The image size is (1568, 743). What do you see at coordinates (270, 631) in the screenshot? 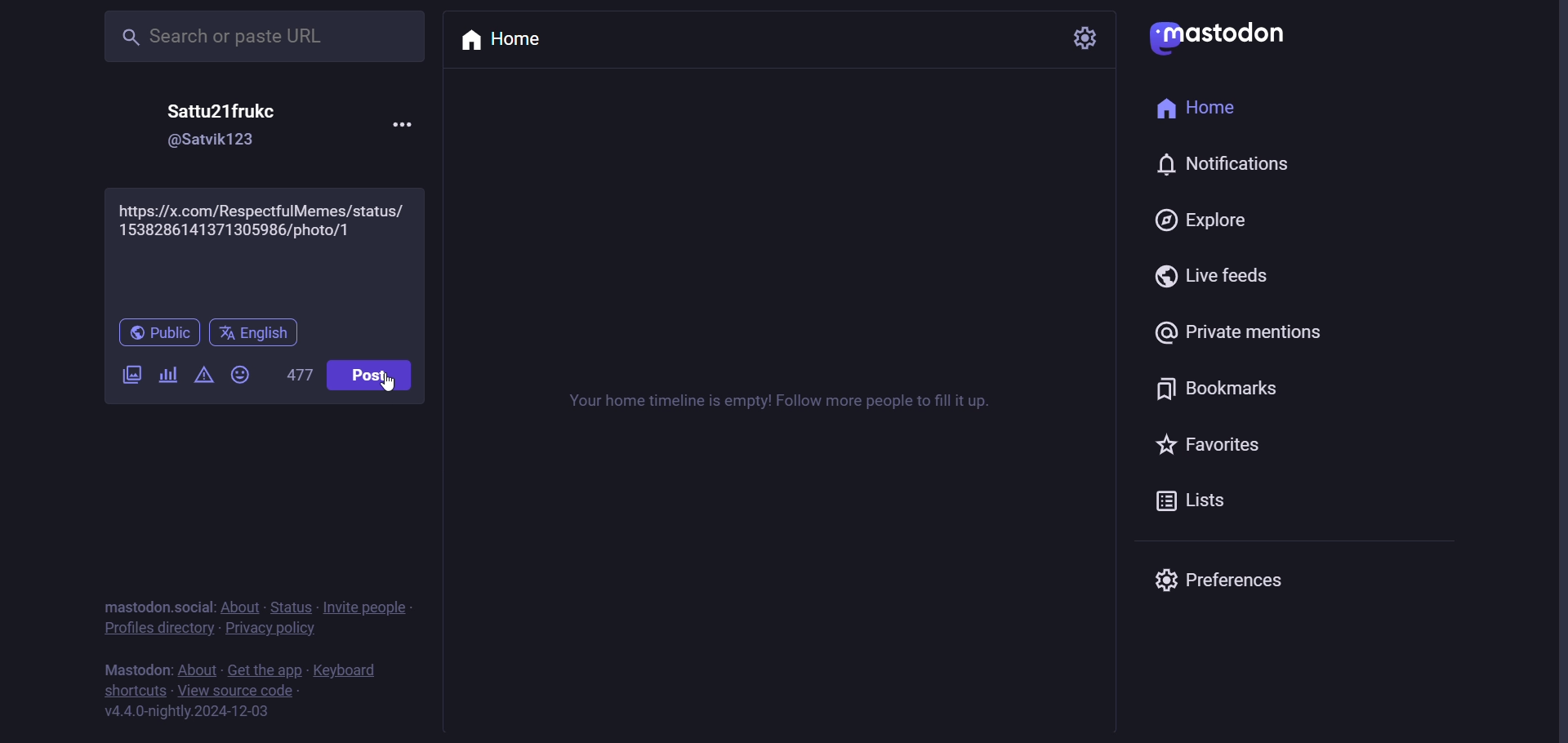
I see `privacy policy` at bounding box center [270, 631].